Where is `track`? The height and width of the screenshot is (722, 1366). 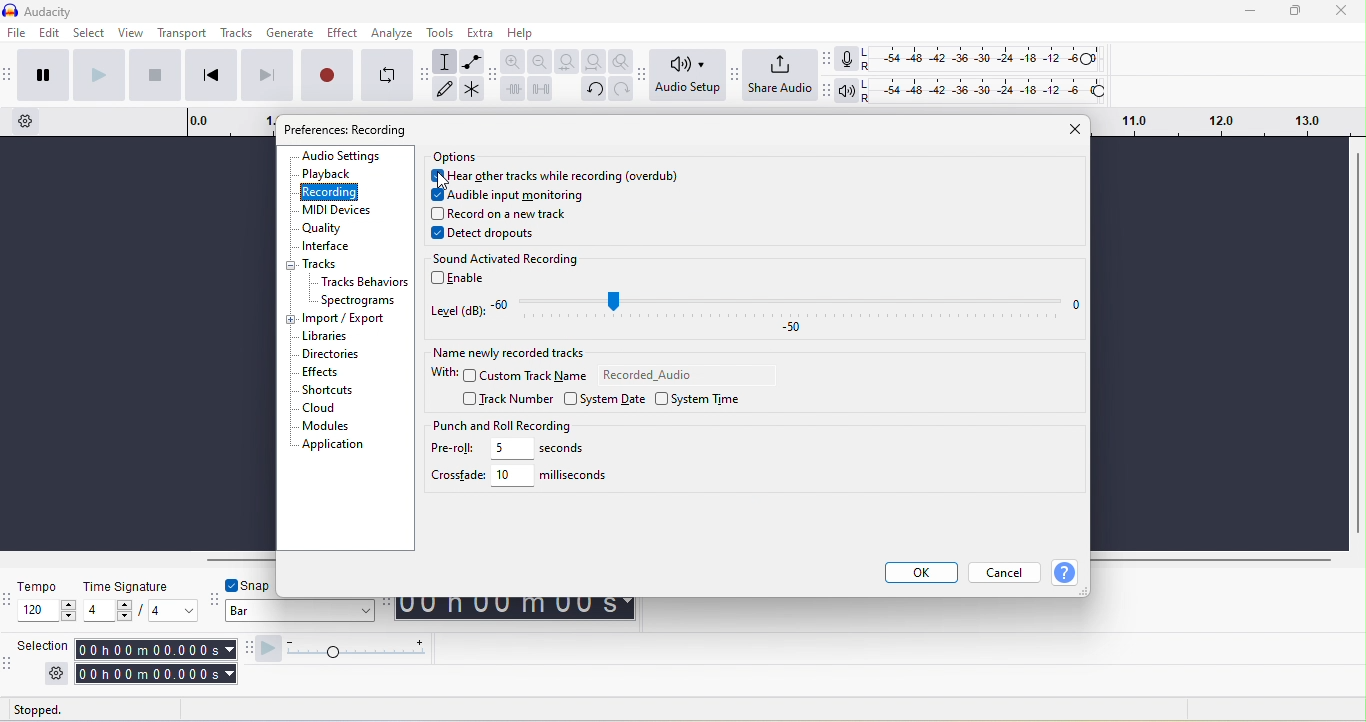 track is located at coordinates (320, 265).